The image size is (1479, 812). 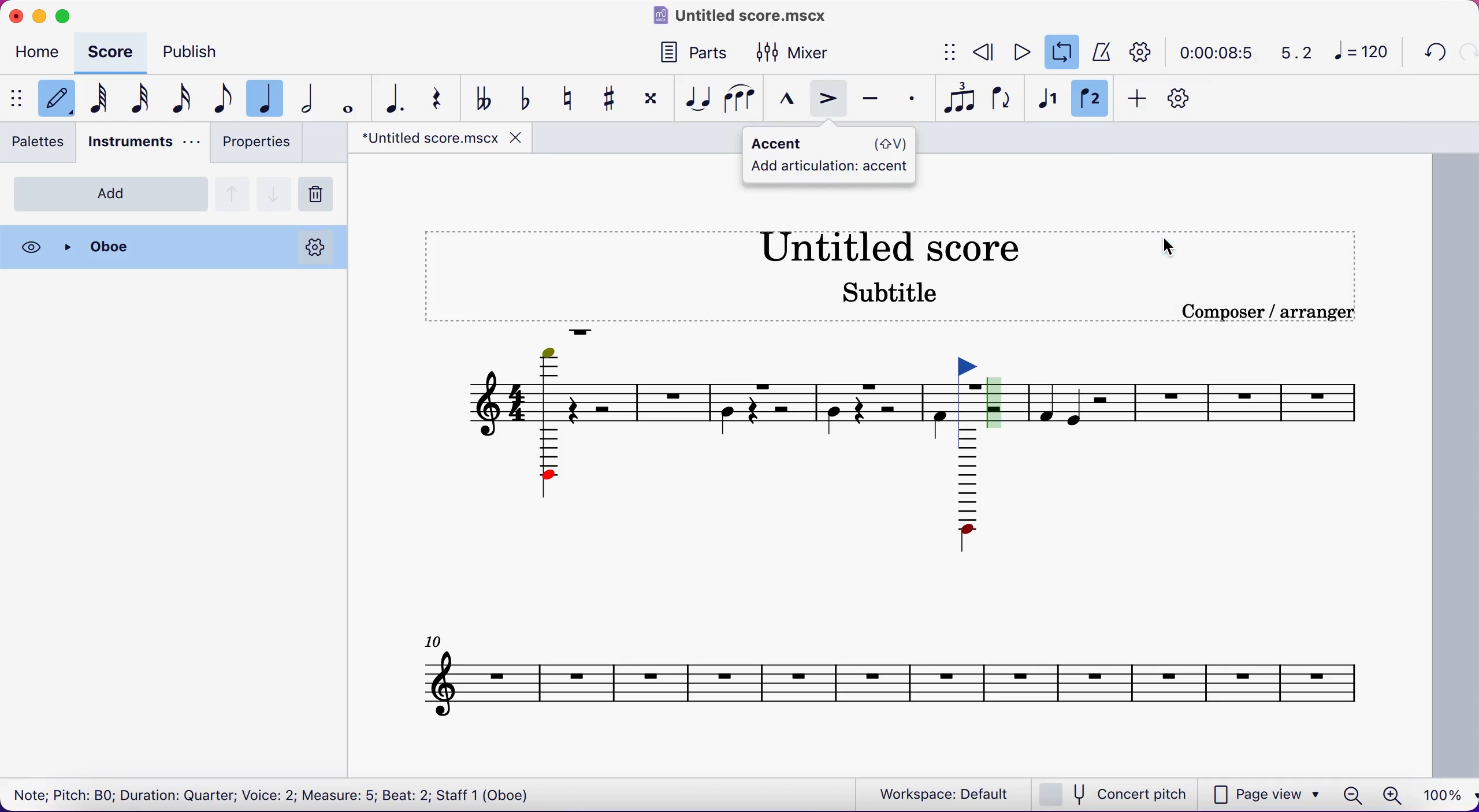 I want to click on visibility, so click(x=32, y=247).